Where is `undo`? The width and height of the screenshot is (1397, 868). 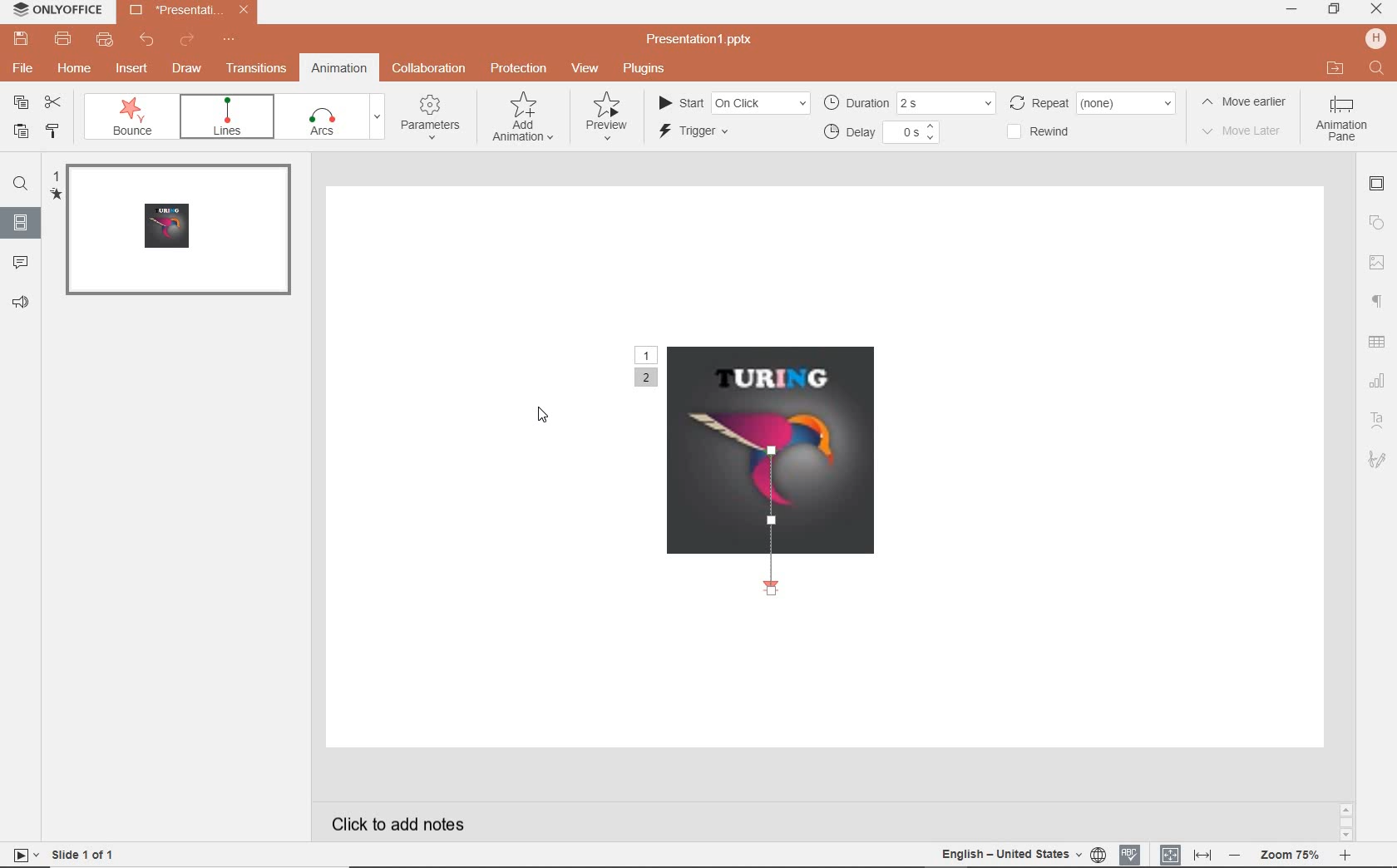
undo is located at coordinates (146, 38).